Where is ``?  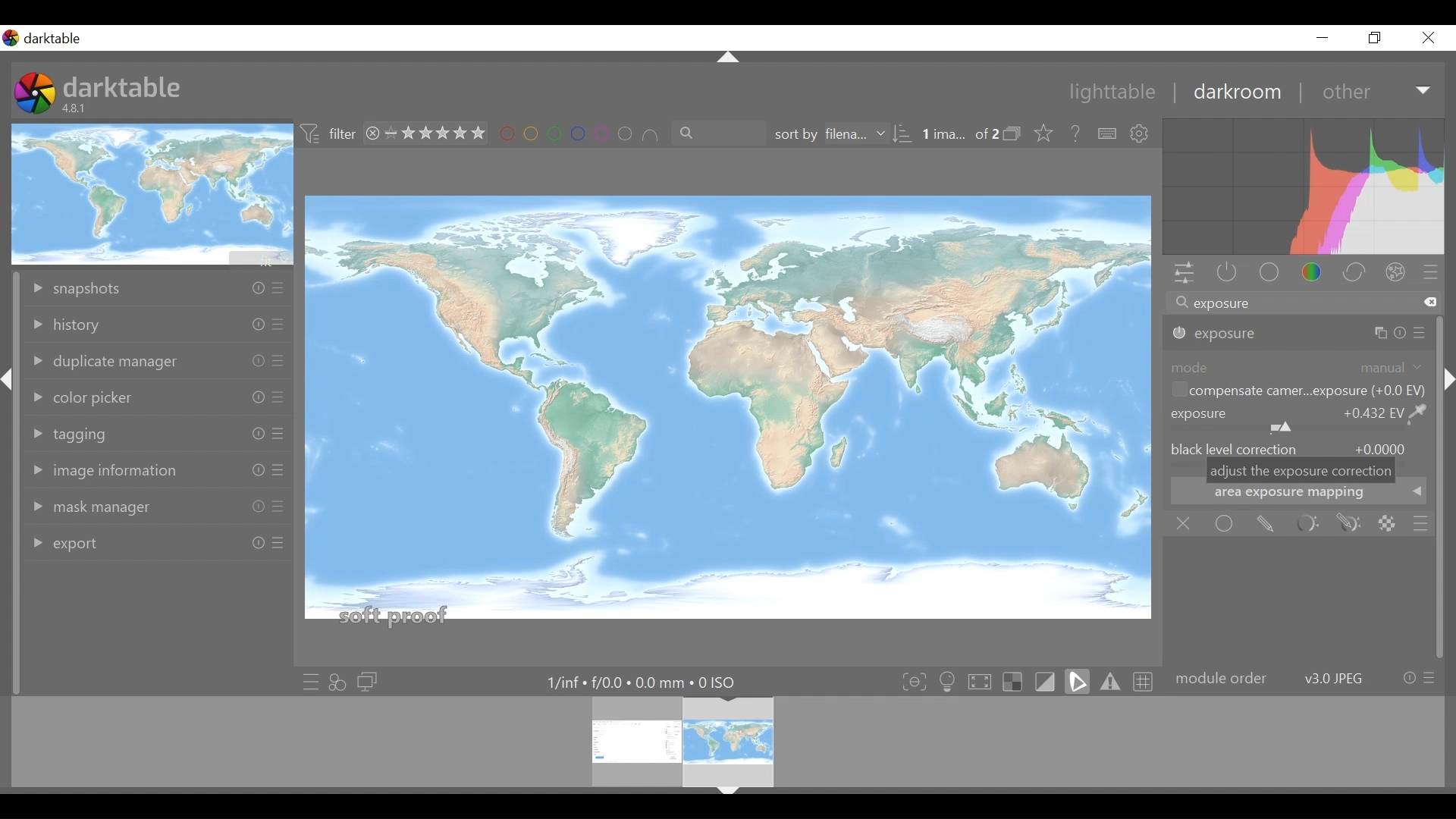  is located at coordinates (253, 544).